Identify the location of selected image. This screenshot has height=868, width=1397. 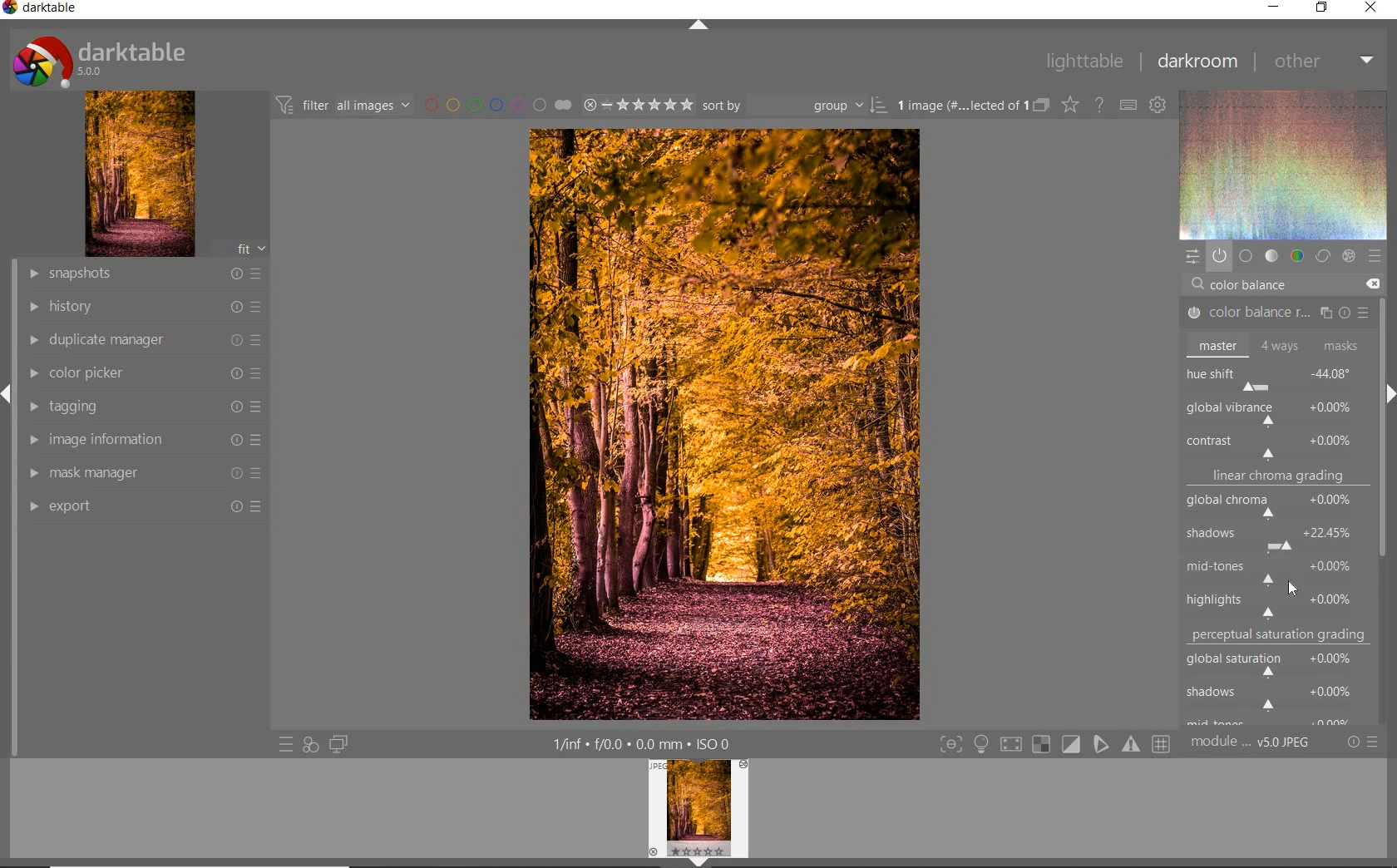
(723, 425).